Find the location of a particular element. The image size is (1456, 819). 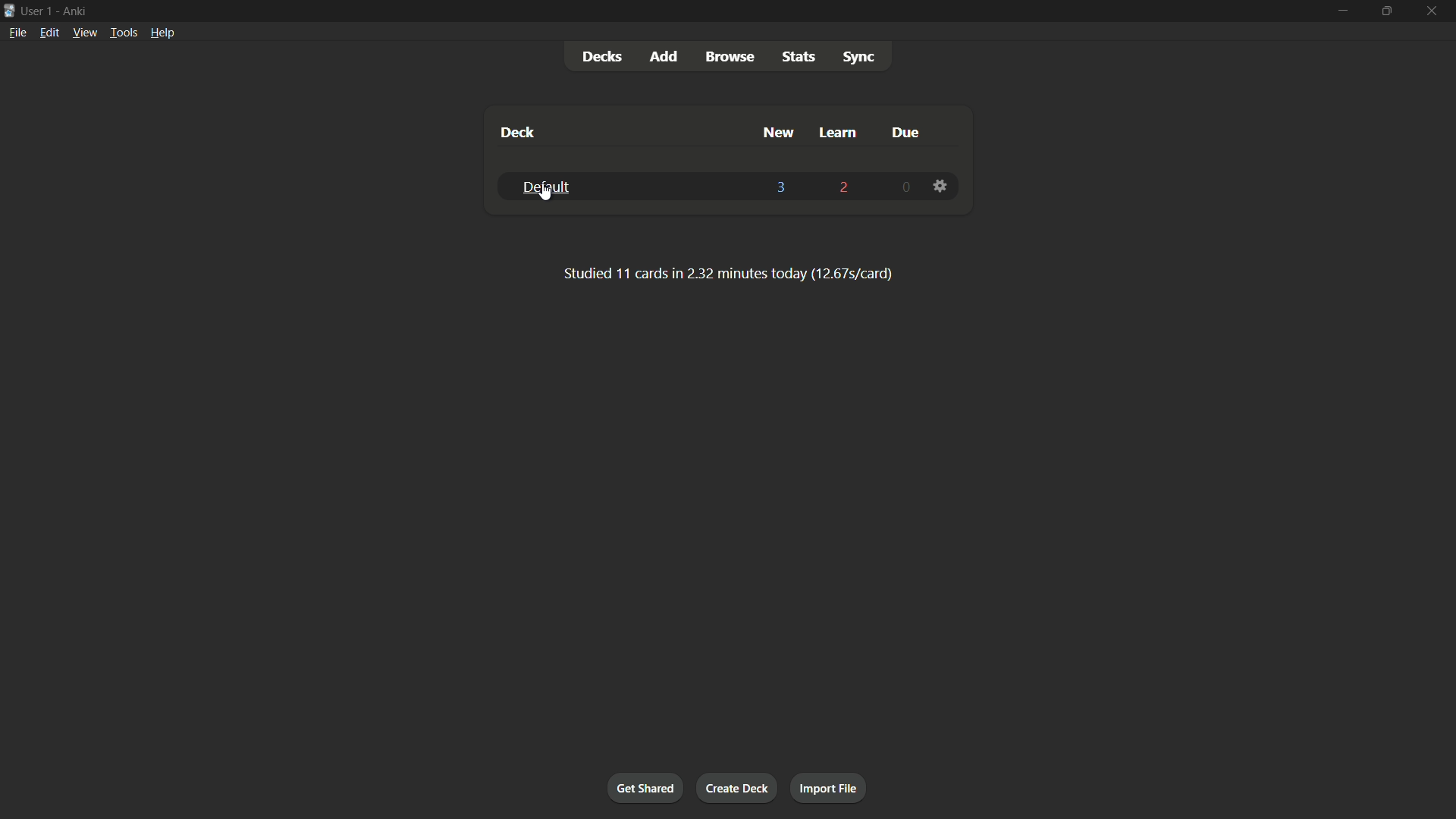

settings is located at coordinates (941, 187).